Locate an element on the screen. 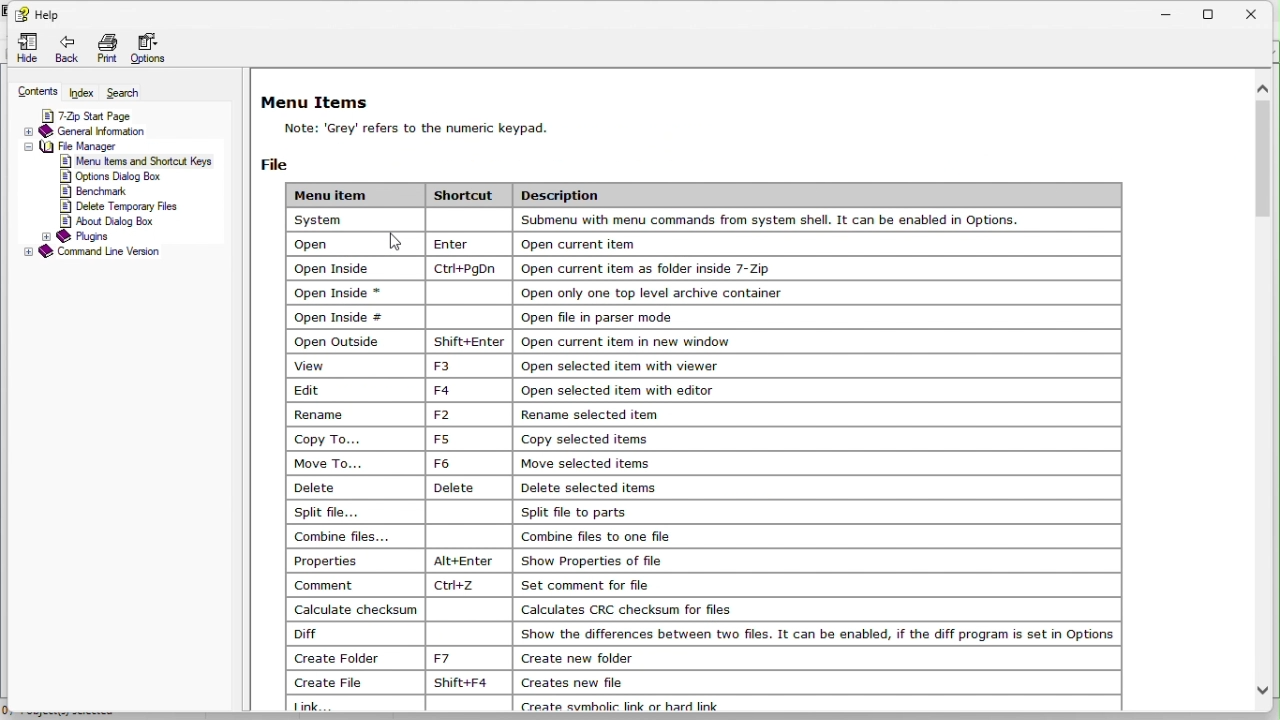 Image resolution: width=1280 pixels, height=720 pixels. | Create File | shift+F4 | Creates new file is located at coordinates (465, 682).